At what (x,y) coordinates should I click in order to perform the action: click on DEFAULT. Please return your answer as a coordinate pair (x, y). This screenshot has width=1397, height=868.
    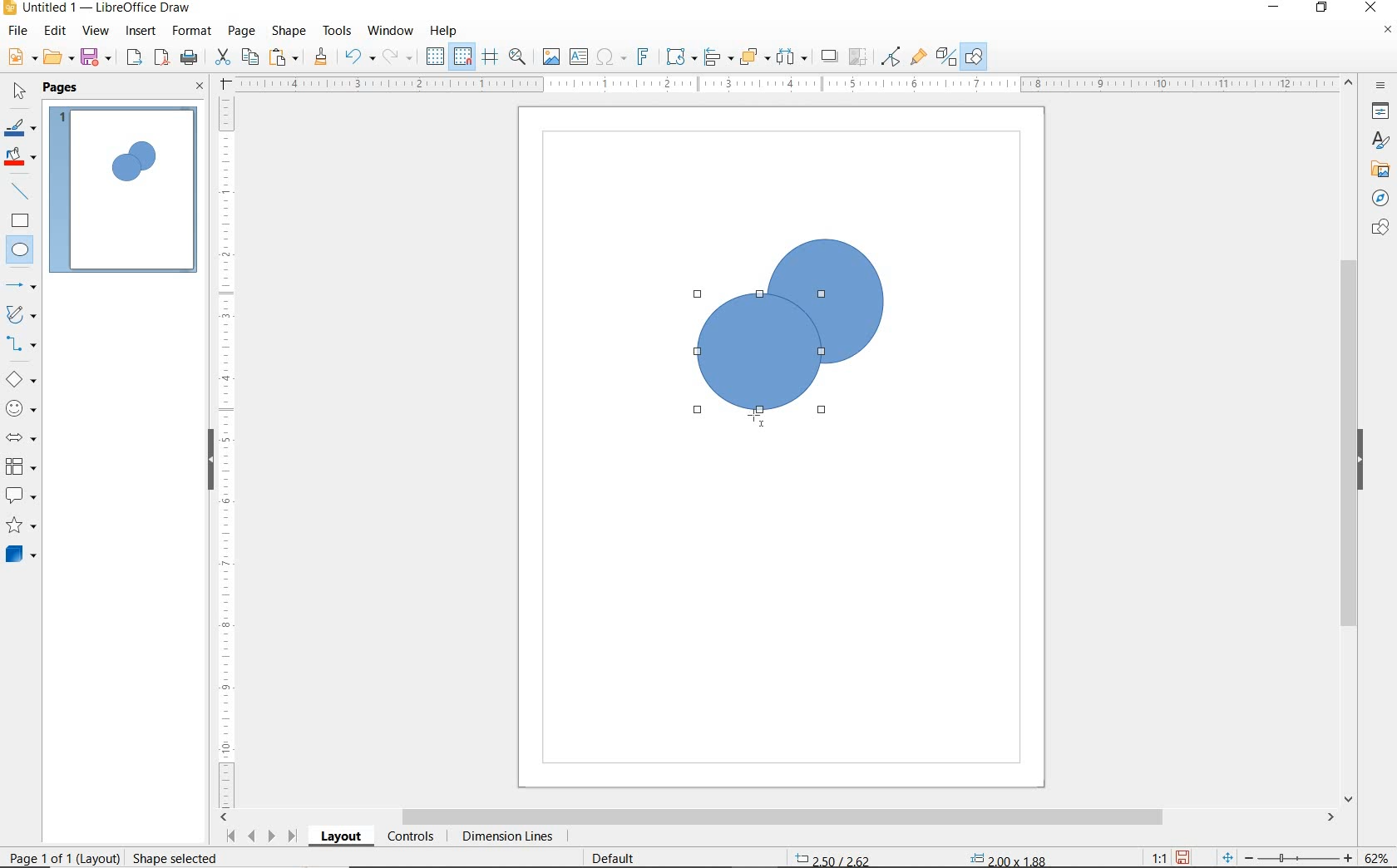
    Looking at the image, I should click on (619, 856).